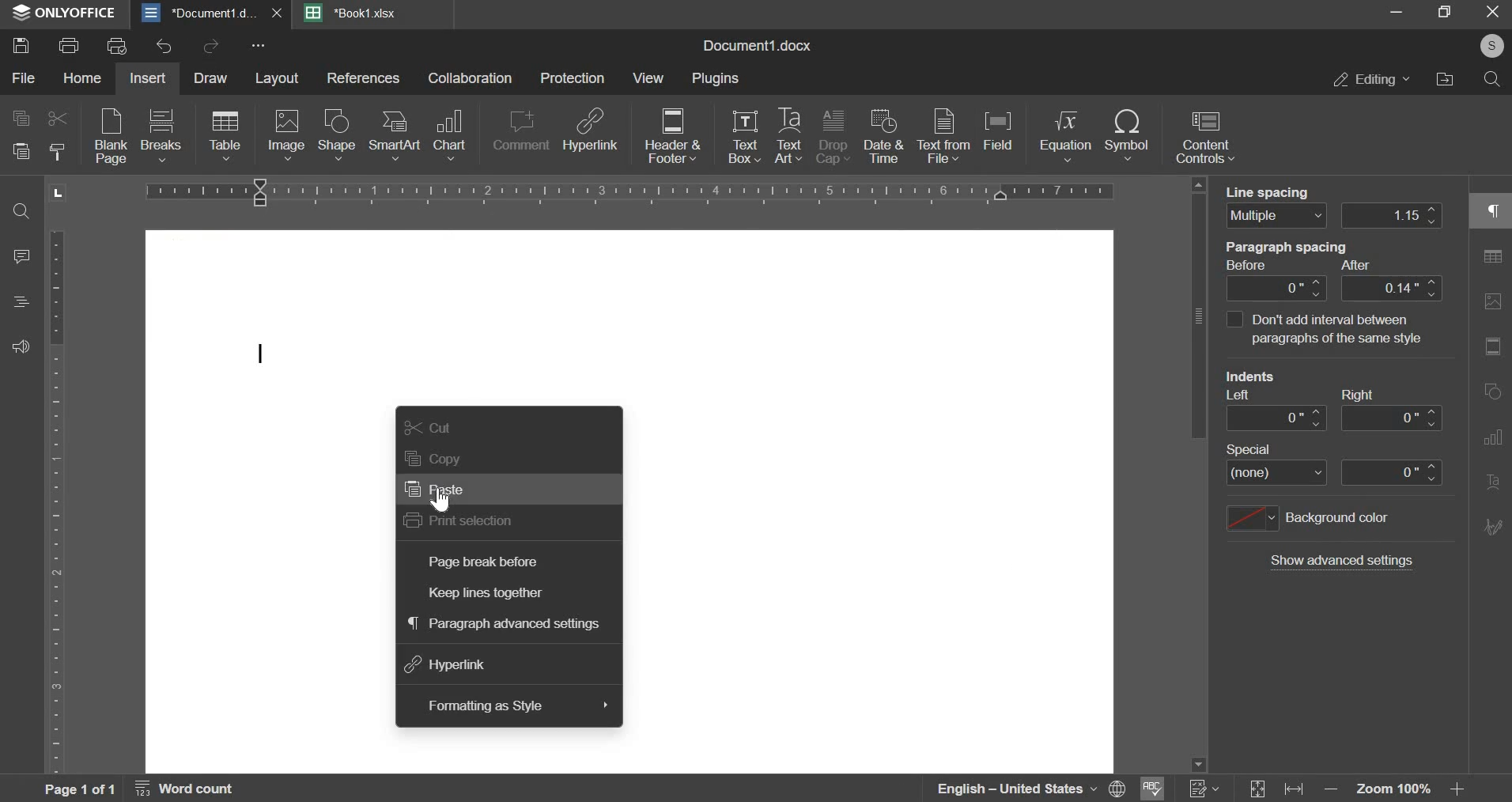 The height and width of the screenshot is (802, 1512). Describe the element at coordinates (1064, 138) in the screenshot. I see `equation` at that location.